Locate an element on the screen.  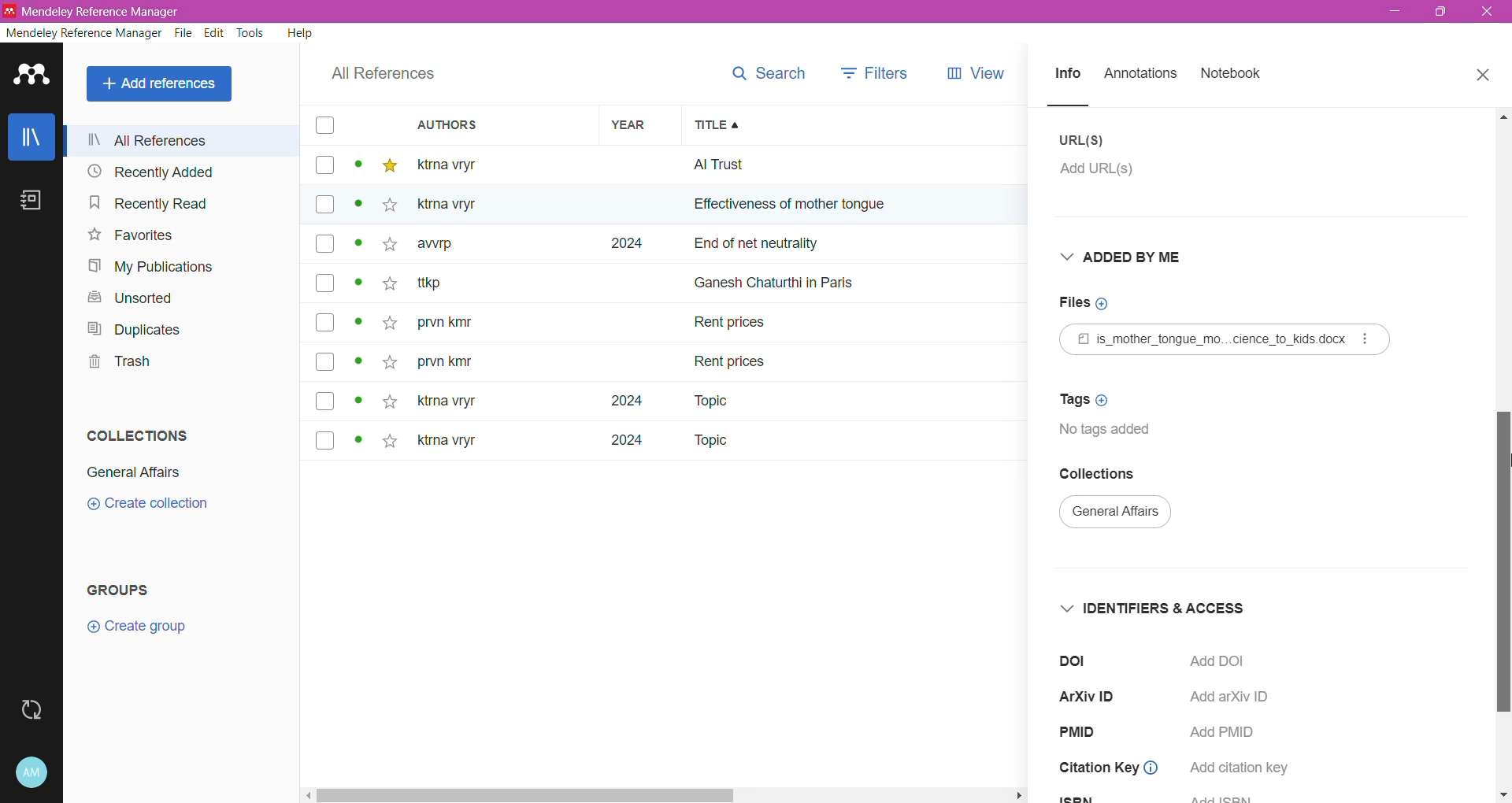
ktna vryt  is located at coordinates (443, 402).